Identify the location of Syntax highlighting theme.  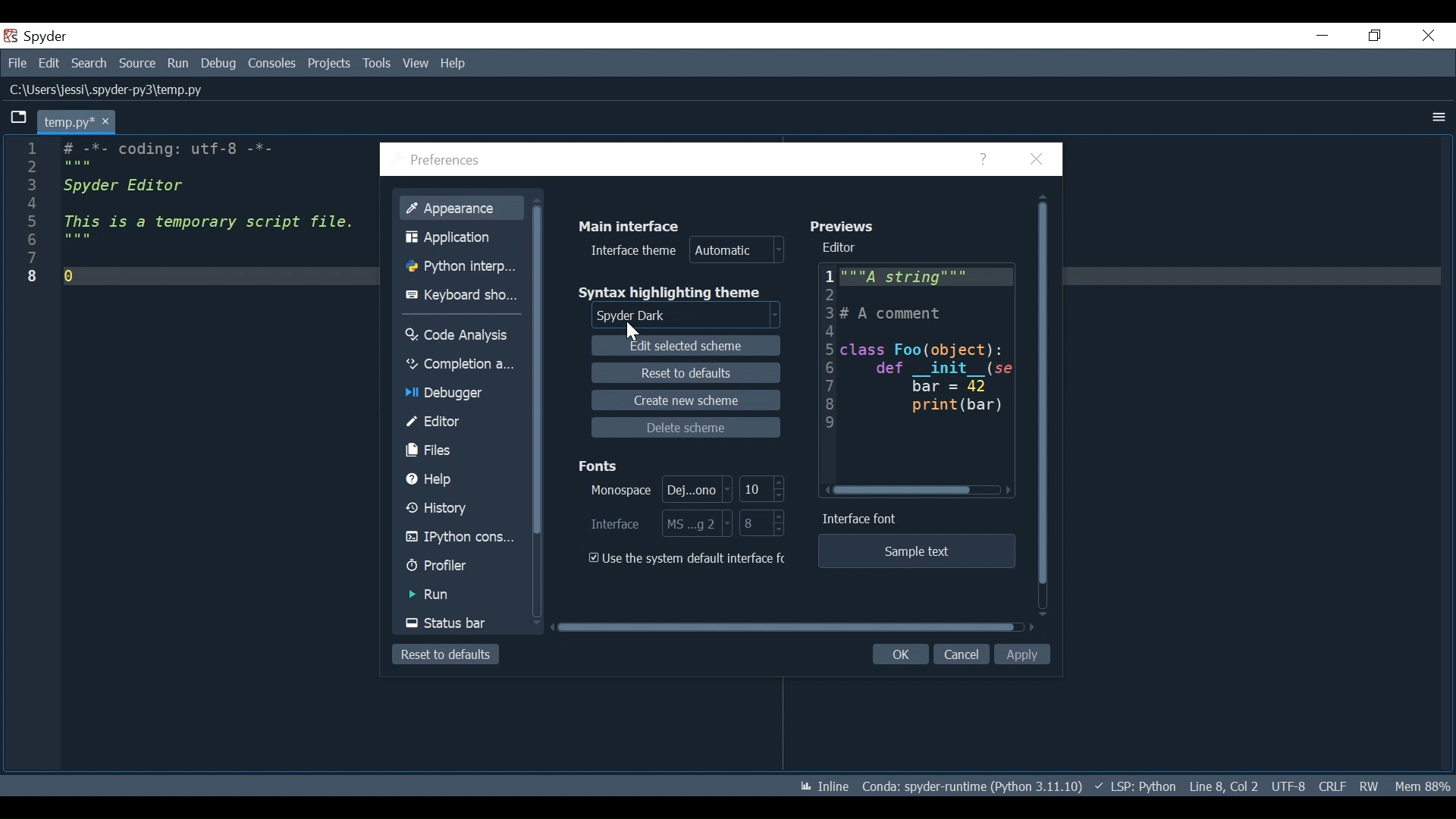
(676, 293).